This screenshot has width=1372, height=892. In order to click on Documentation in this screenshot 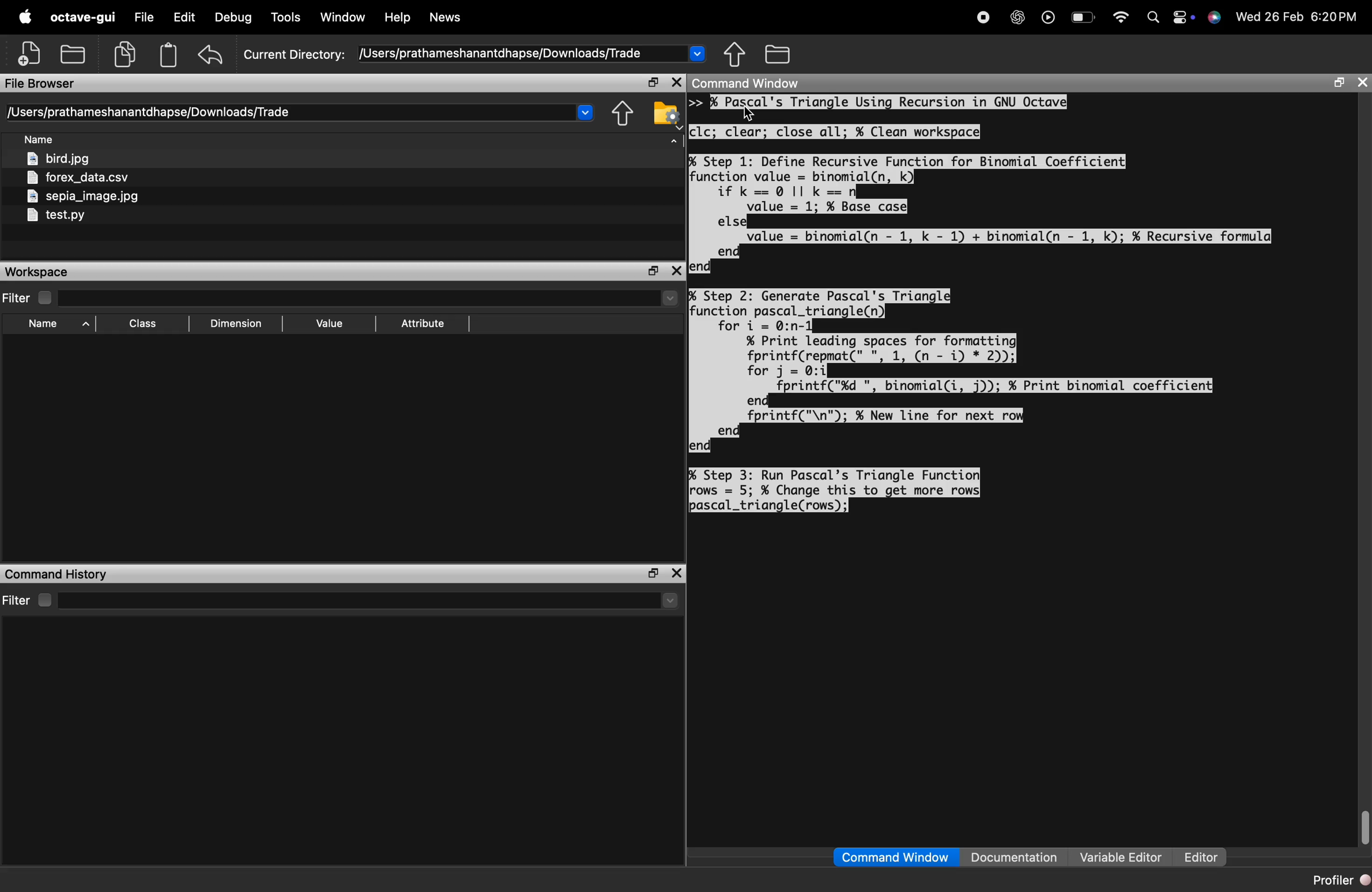, I will do `click(1013, 856)`.